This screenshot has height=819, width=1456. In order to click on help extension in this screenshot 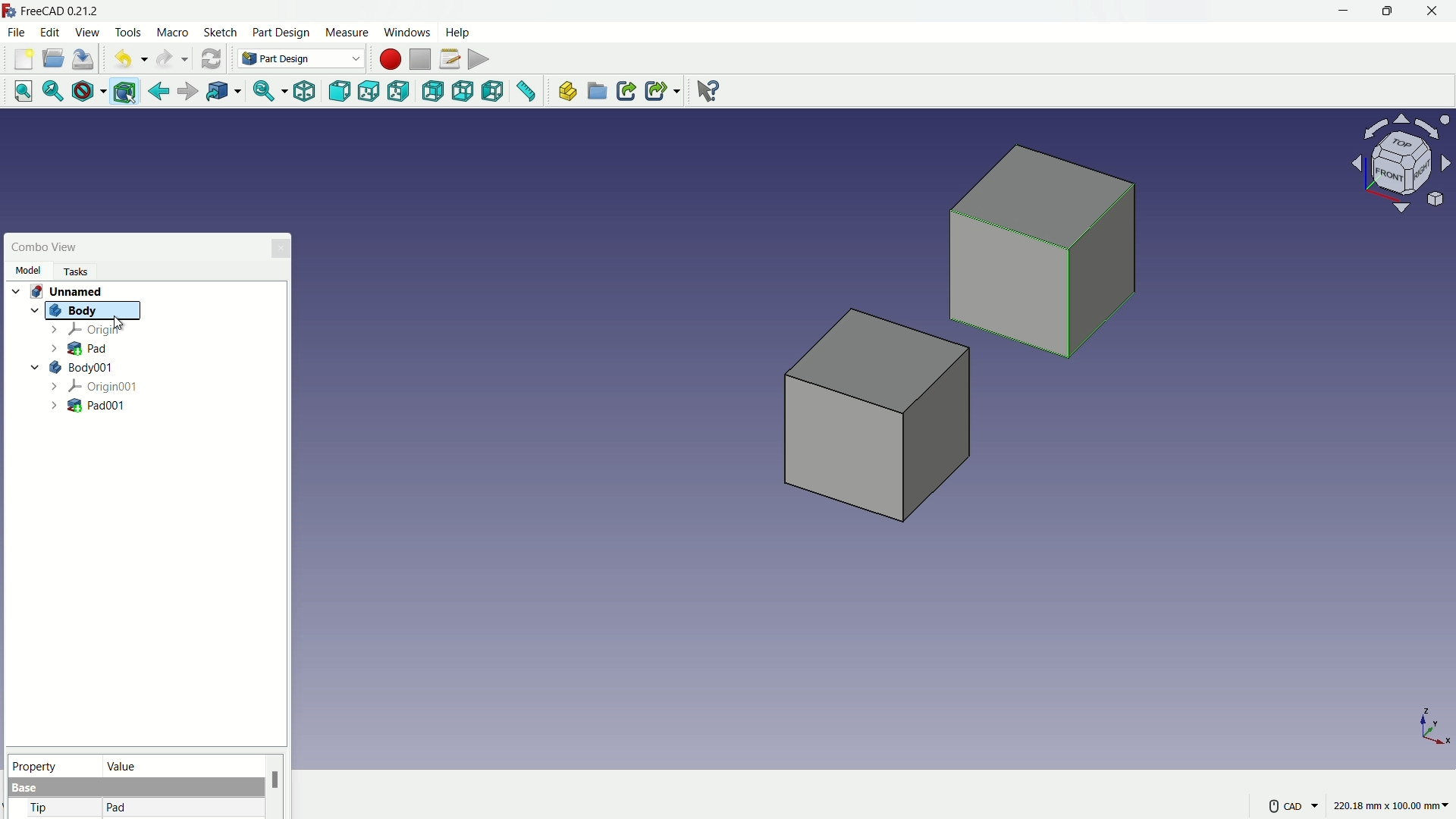, I will do `click(704, 89)`.